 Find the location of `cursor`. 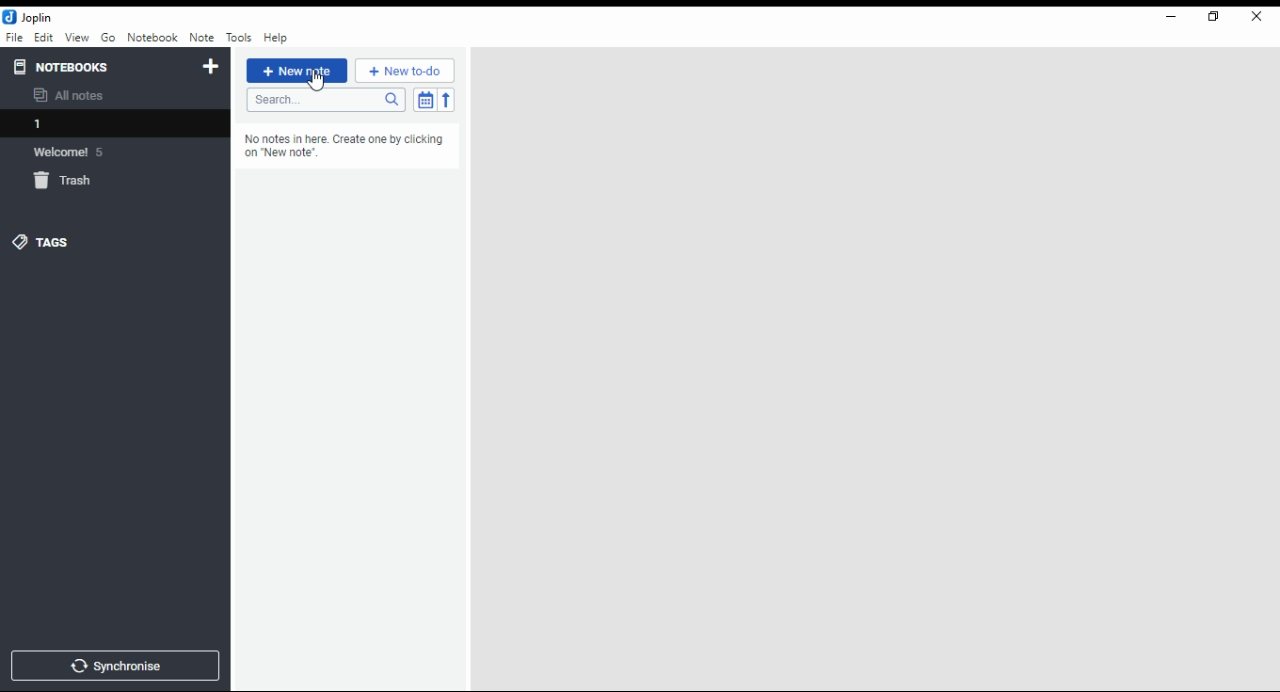

cursor is located at coordinates (317, 82).